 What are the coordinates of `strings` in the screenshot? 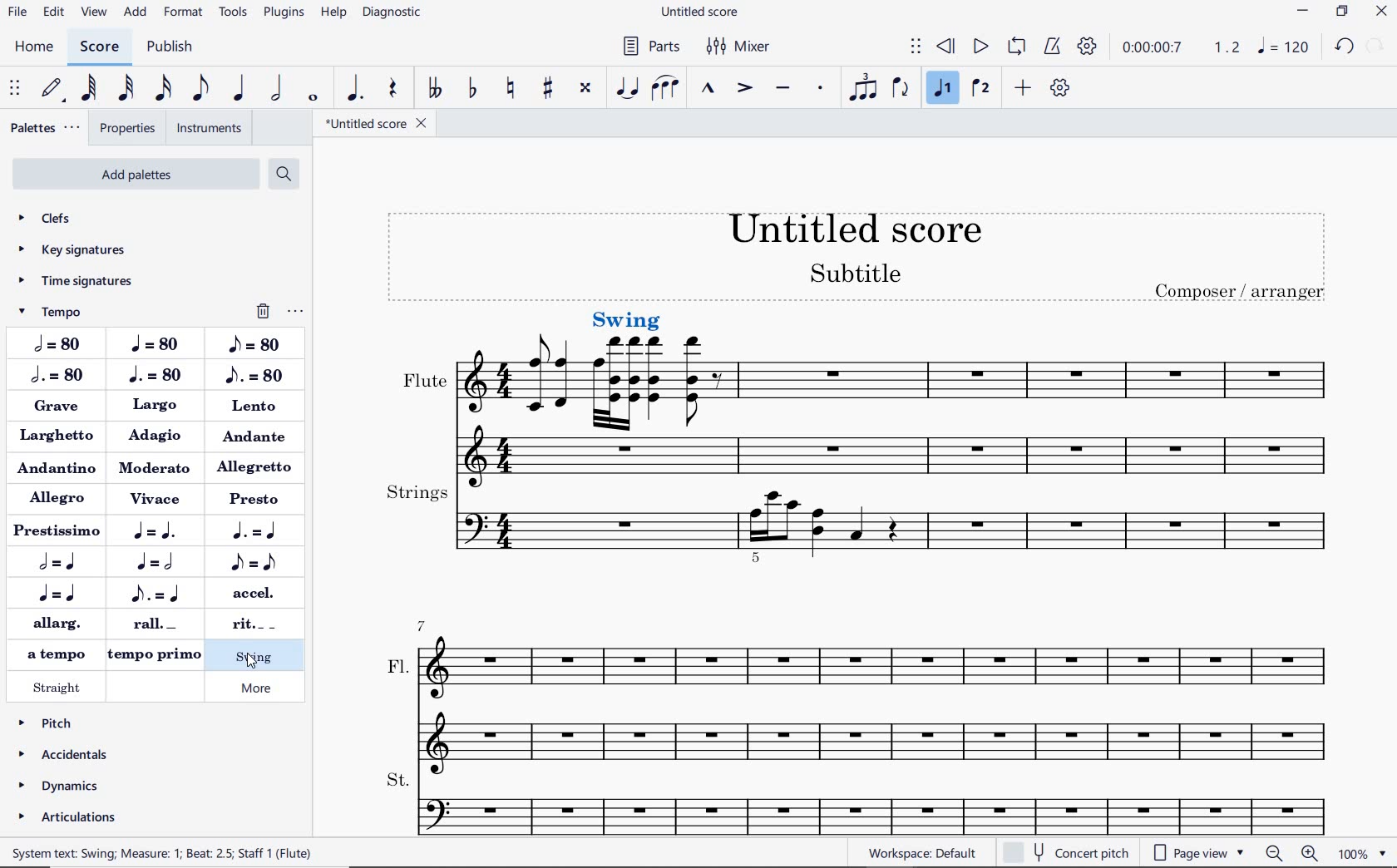 It's located at (872, 526).